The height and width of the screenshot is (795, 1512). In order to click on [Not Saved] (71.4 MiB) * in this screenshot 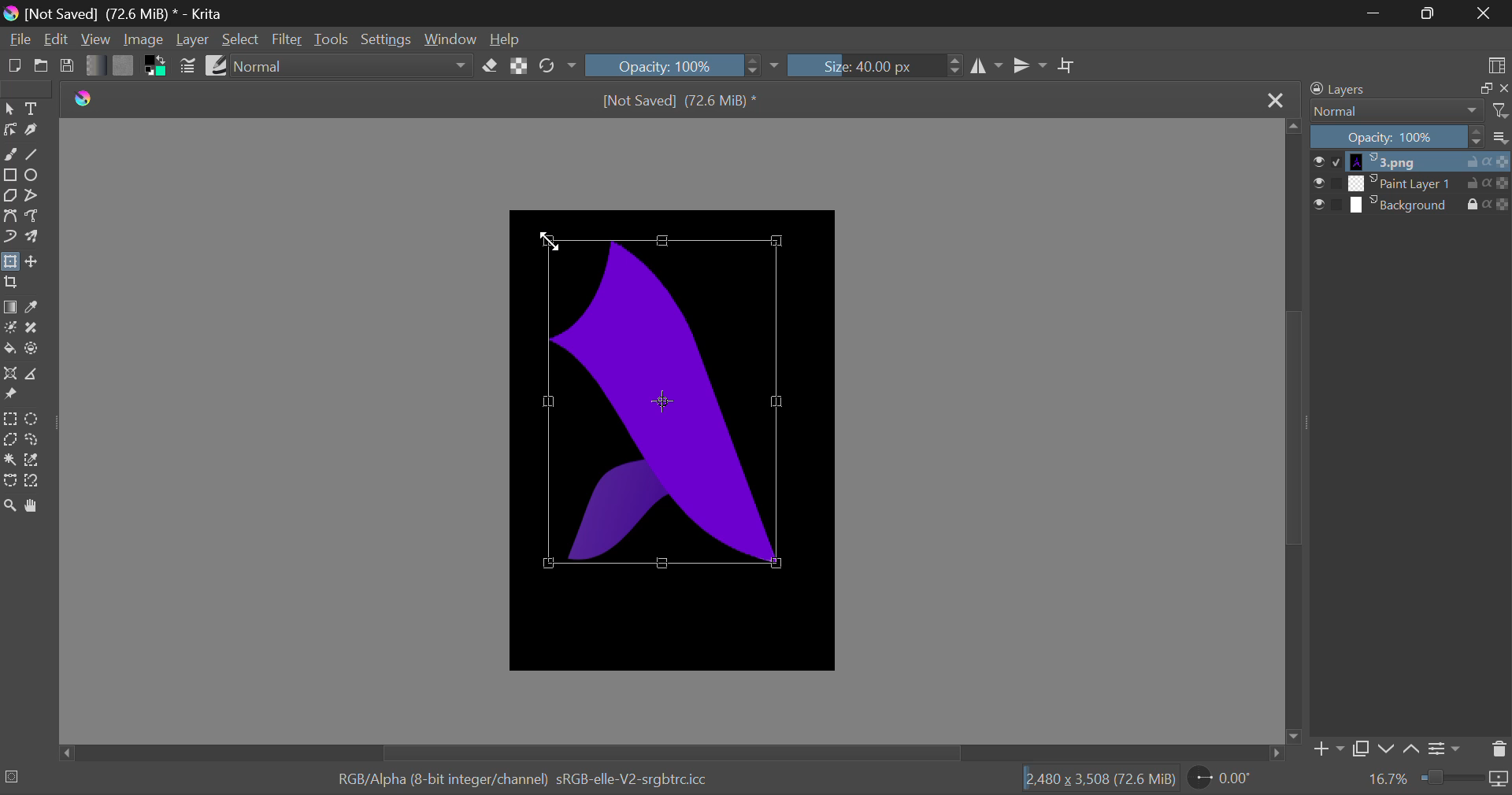, I will do `click(683, 102)`.